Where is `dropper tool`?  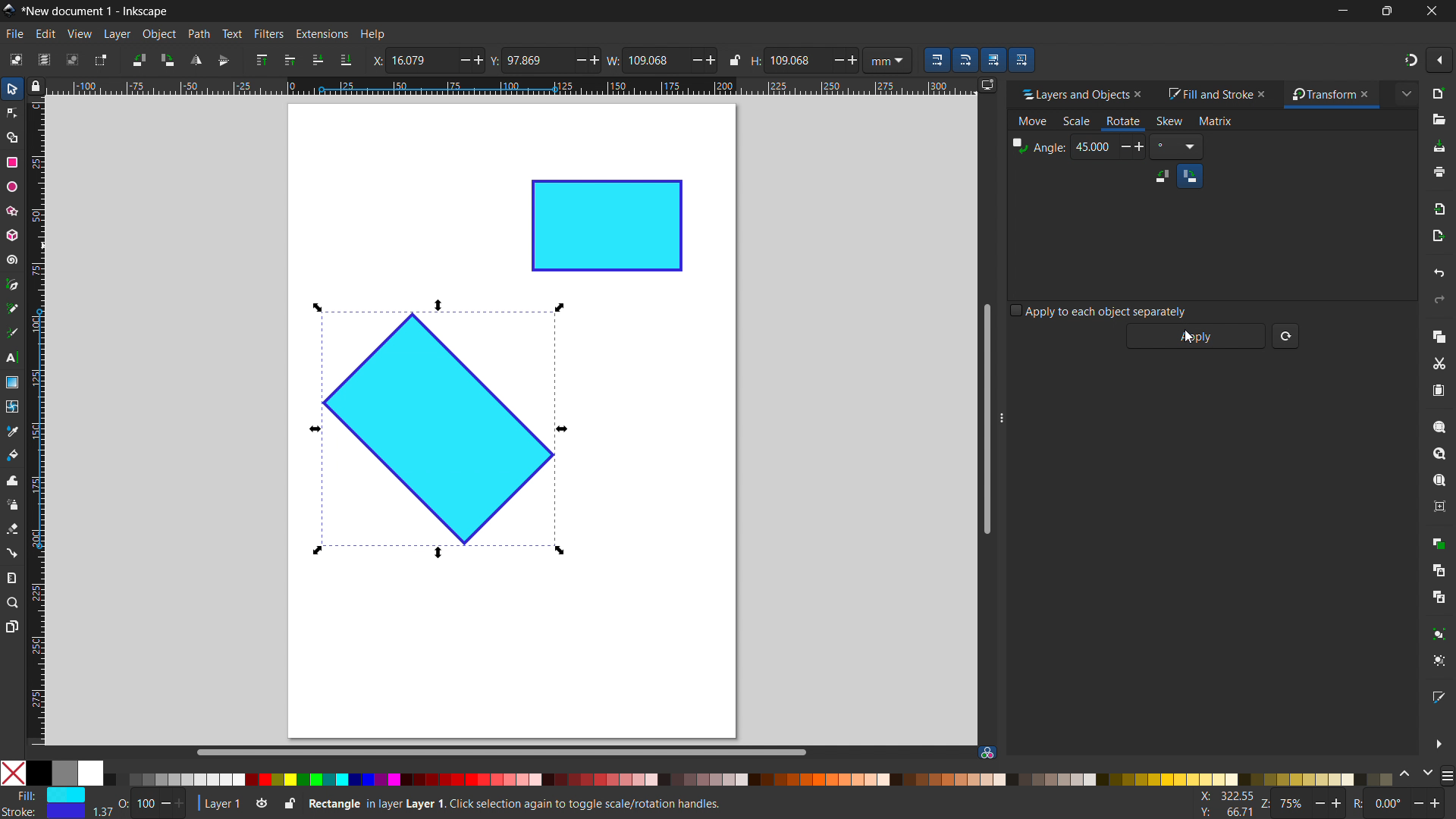
dropper tool is located at coordinates (12, 431).